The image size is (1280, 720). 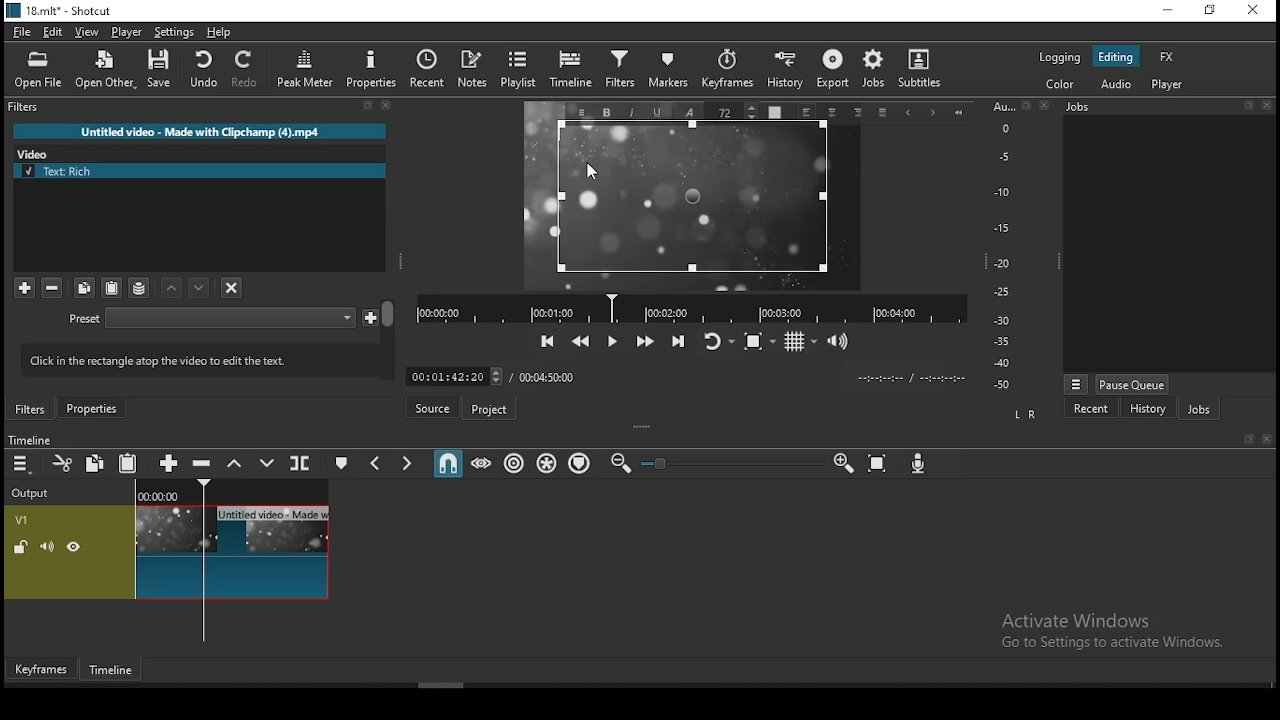 What do you see at coordinates (427, 69) in the screenshot?
I see `recent` at bounding box center [427, 69].